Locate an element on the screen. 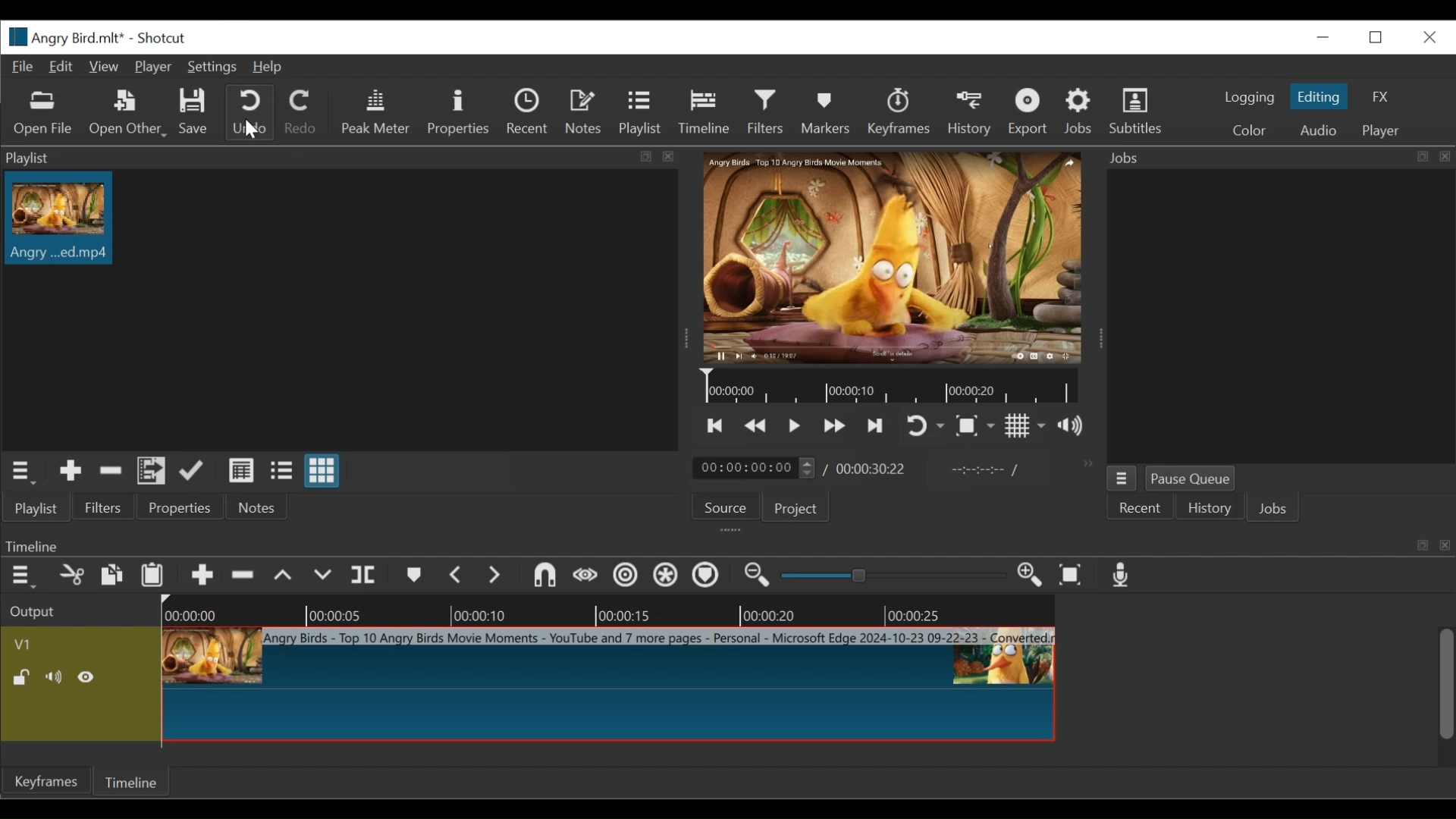 Image resolution: width=1456 pixels, height=819 pixels. Jobs Panel is located at coordinates (1279, 316).